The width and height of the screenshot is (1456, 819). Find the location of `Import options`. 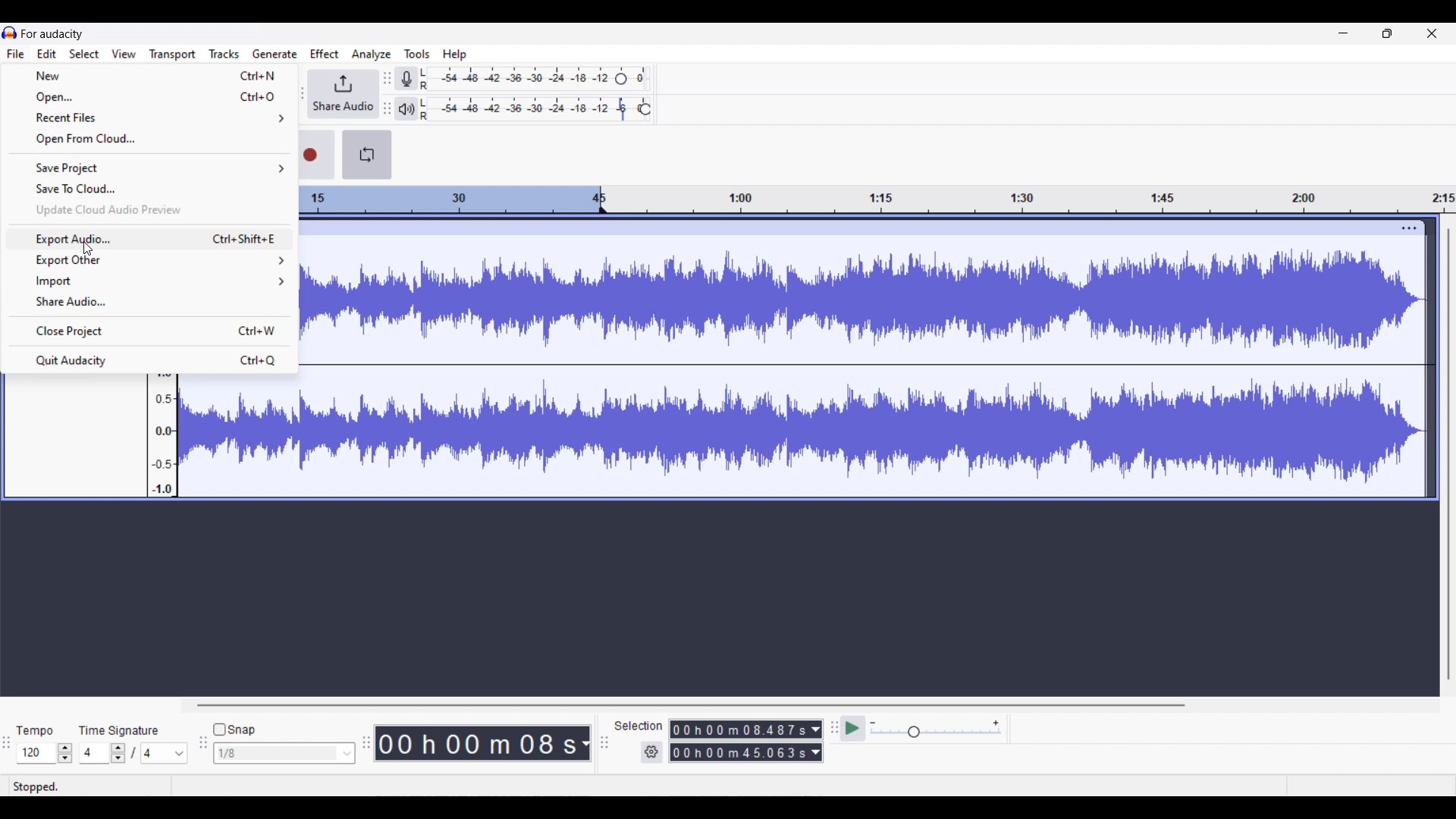

Import options is located at coordinates (150, 281).